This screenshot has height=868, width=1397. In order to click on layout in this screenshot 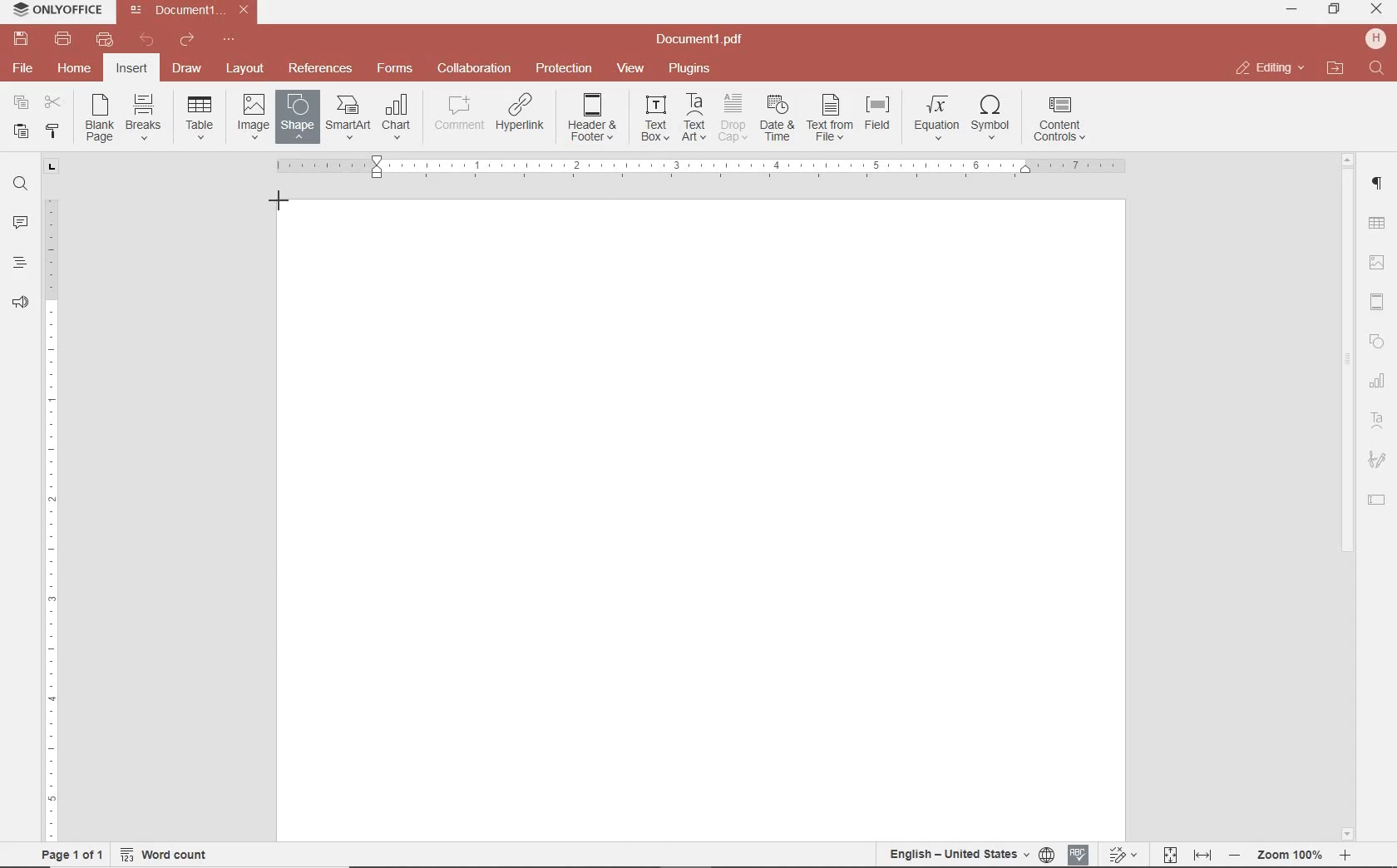, I will do `click(248, 70)`.